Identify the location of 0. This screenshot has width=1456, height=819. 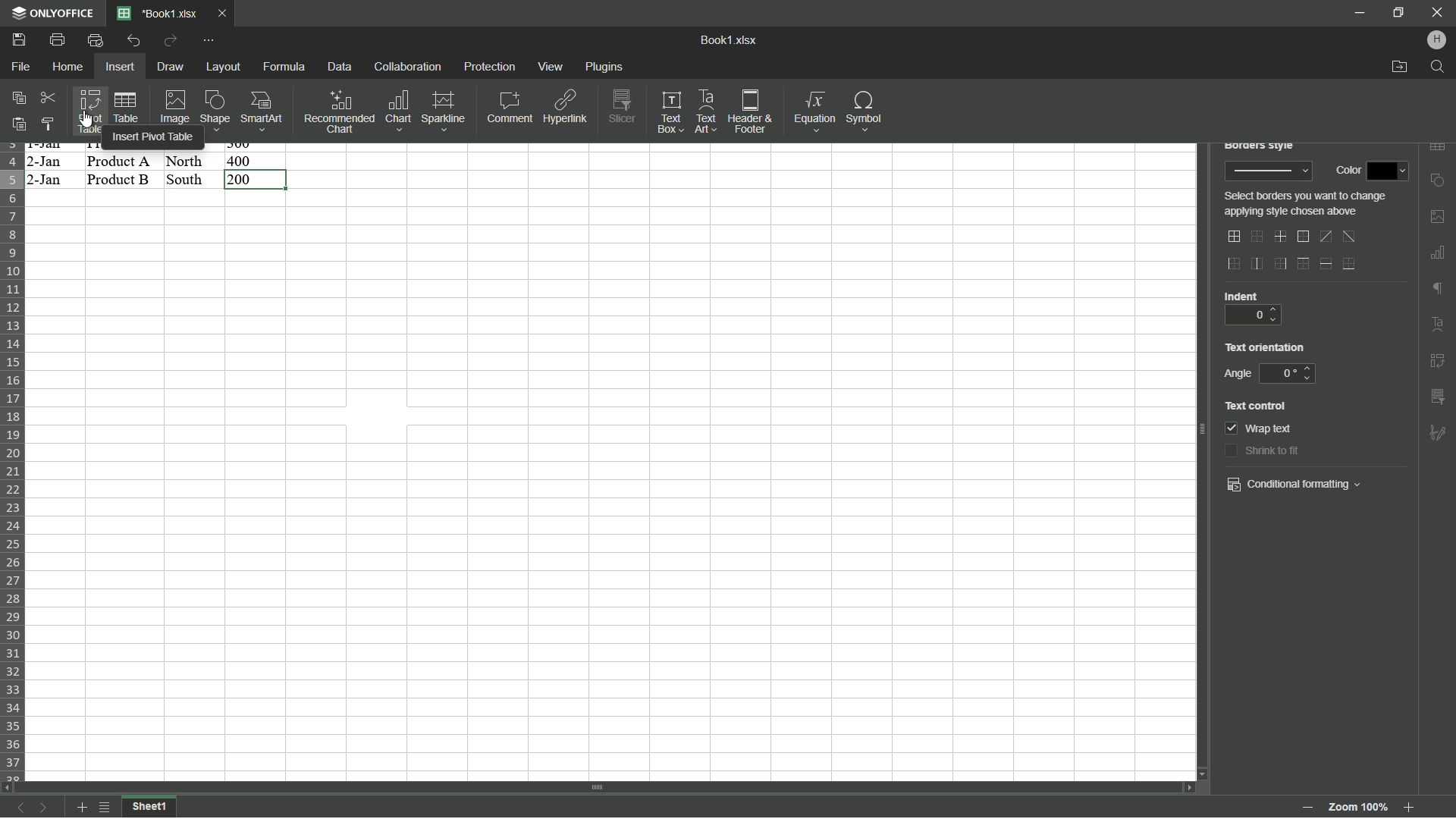
(1257, 315).